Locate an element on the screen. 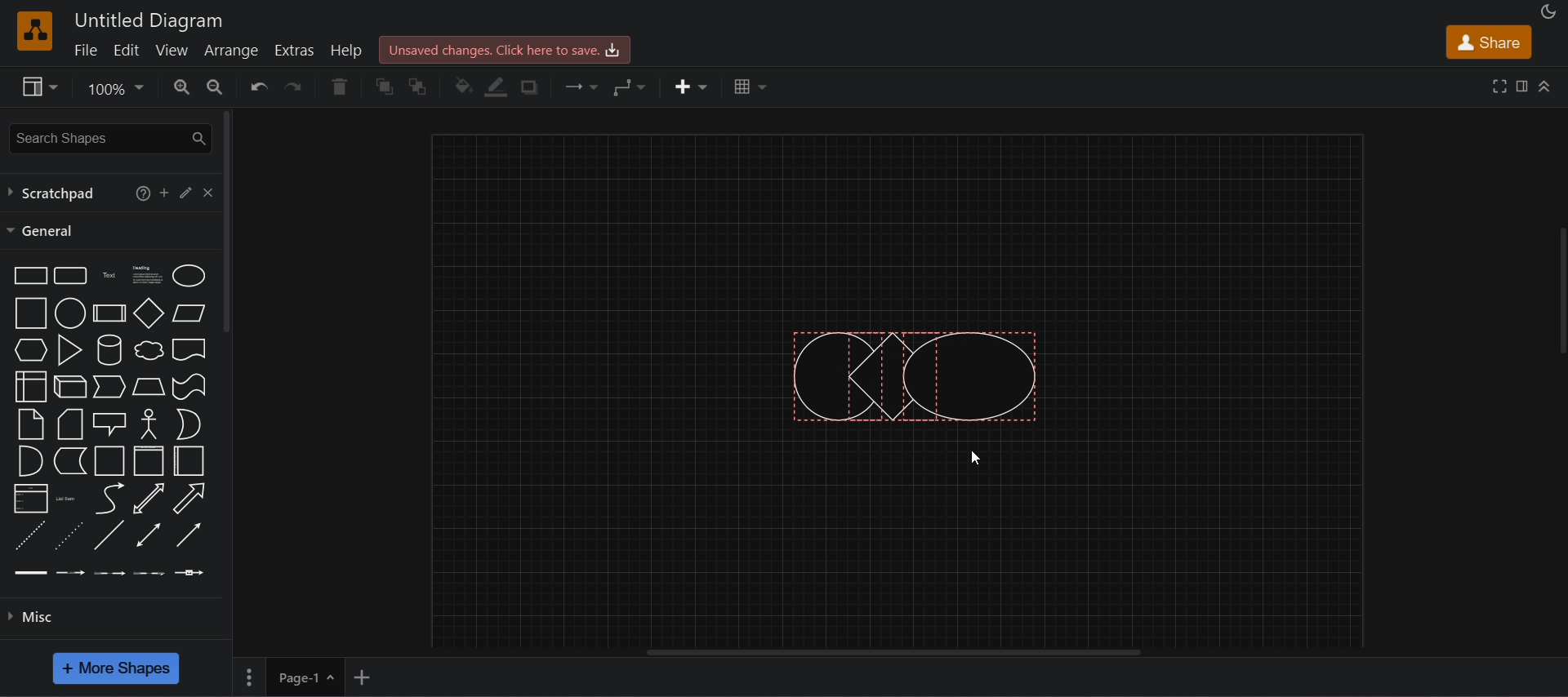  click here to save is located at coordinates (503, 49).